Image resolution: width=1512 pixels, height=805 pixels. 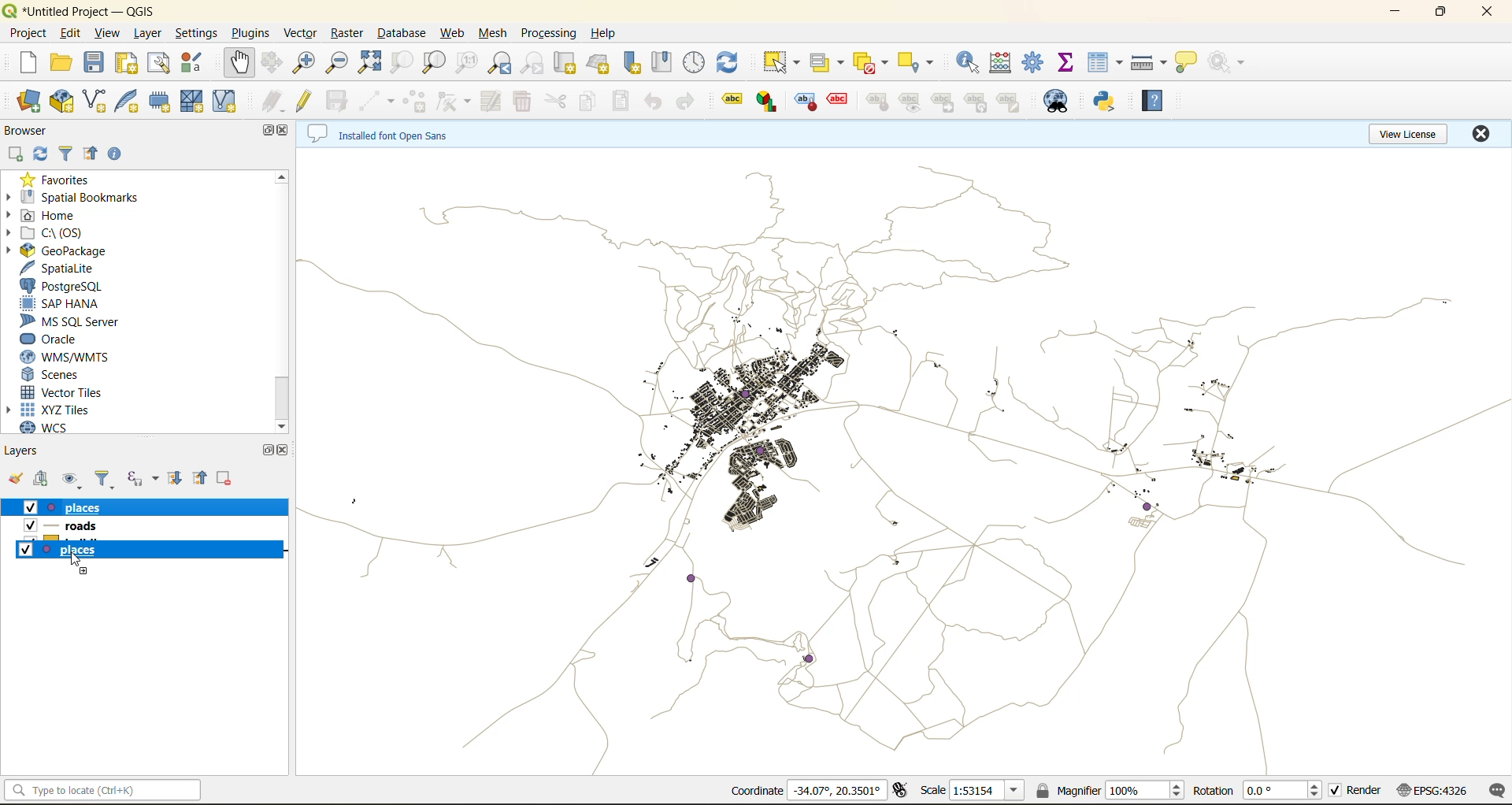 What do you see at coordinates (76, 251) in the screenshot?
I see `geopackage` at bounding box center [76, 251].